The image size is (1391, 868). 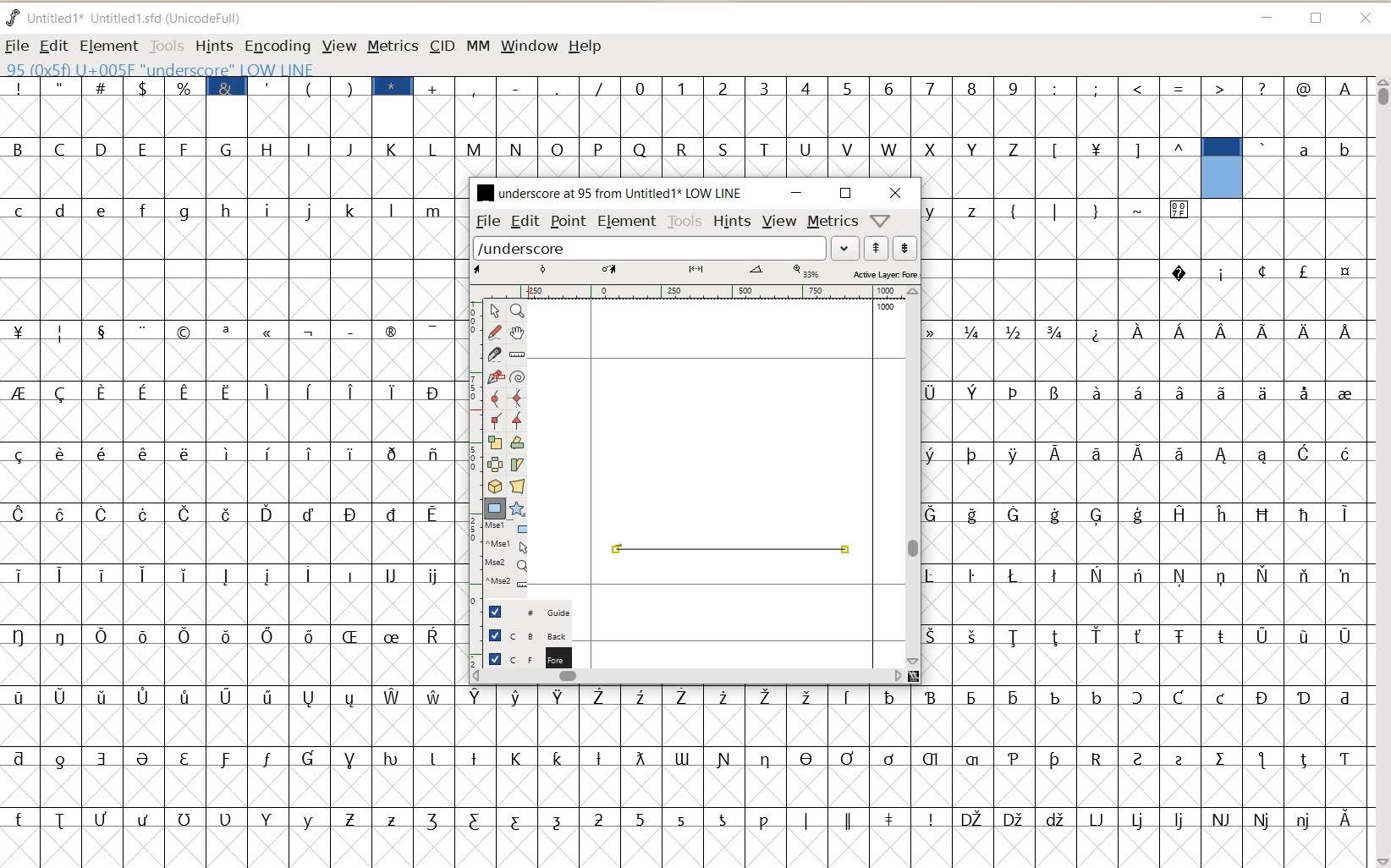 What do you see at coordinates (494, 486) in the screenshot?
I see `rotate the selection in 3D and project back to plane` at bounding box center [494, 486].